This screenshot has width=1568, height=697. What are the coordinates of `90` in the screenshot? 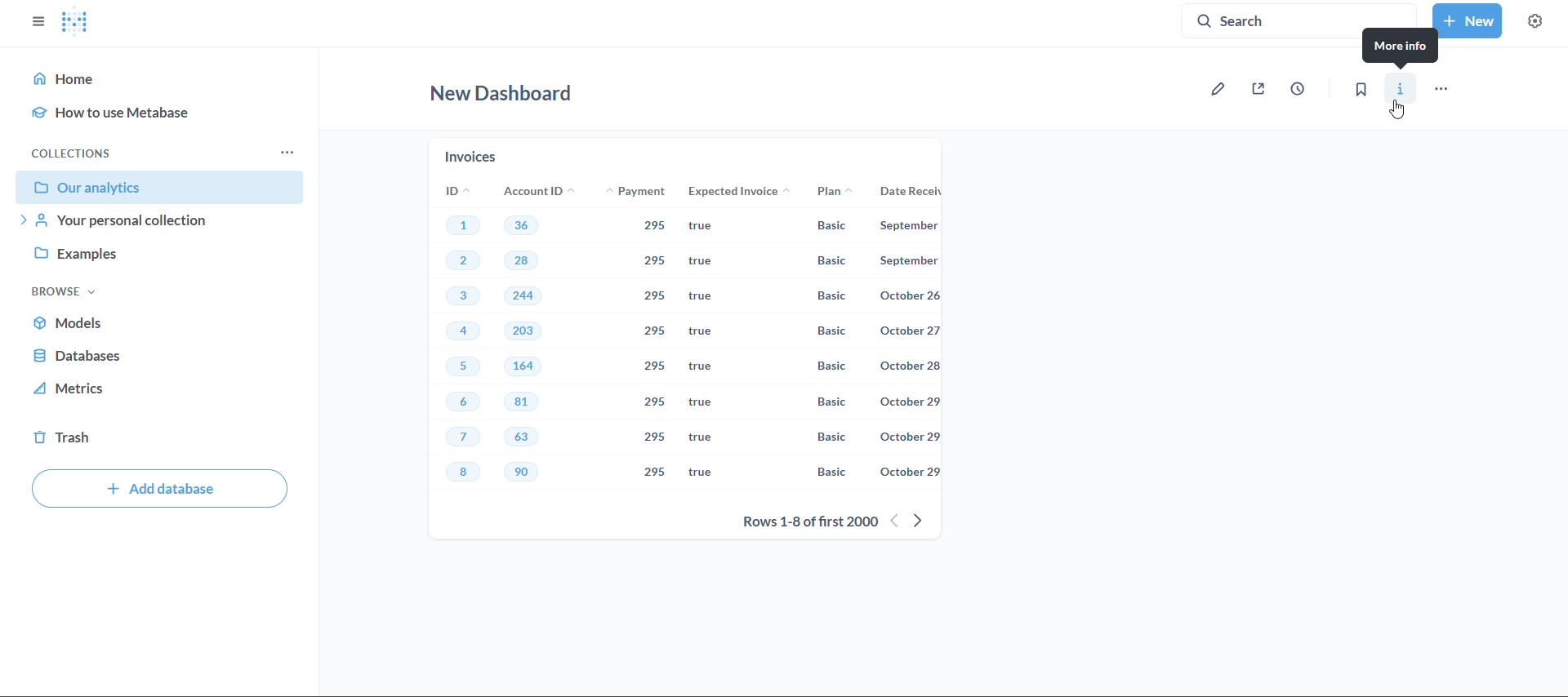 It's located at (528, 473).